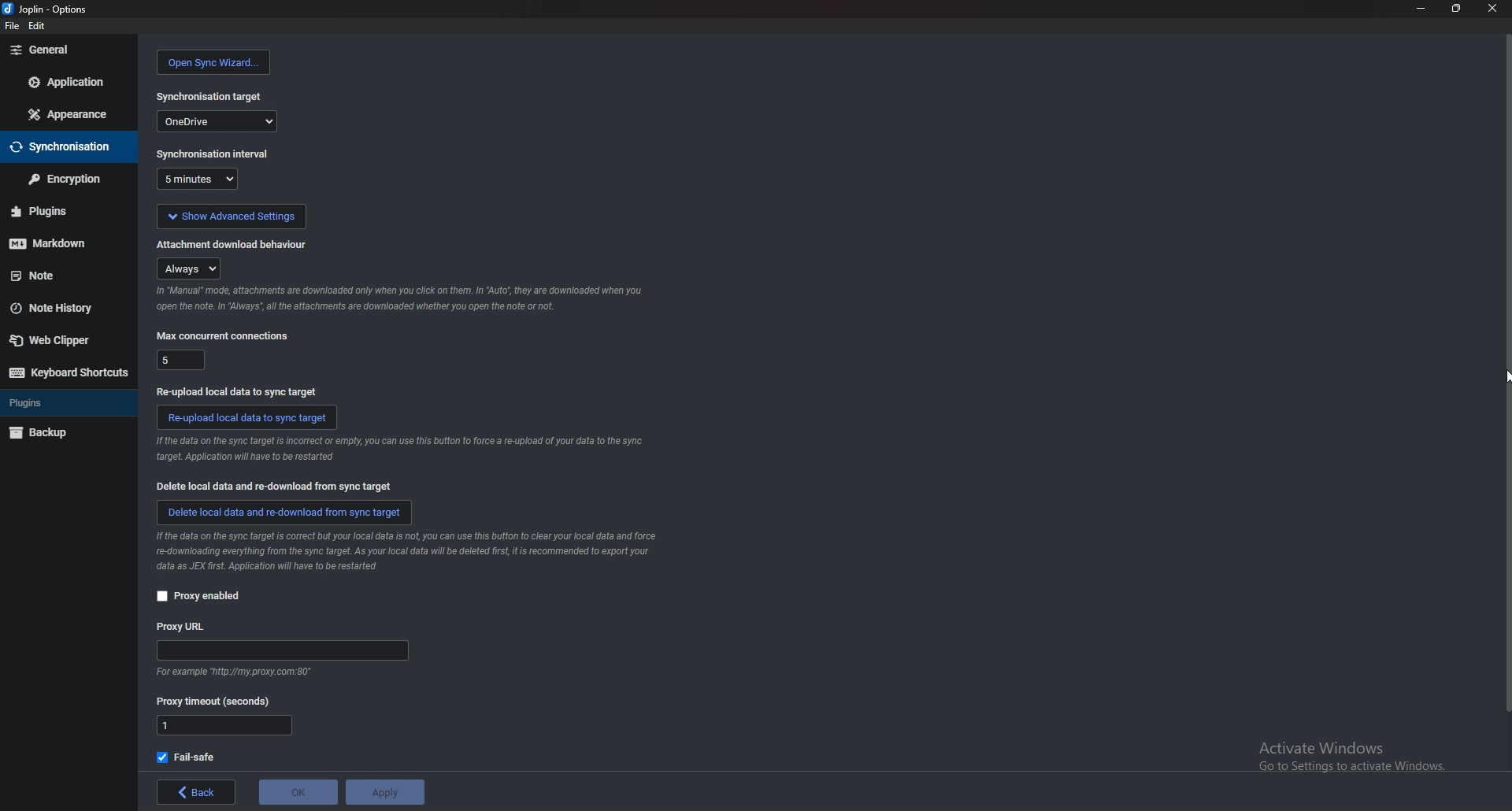 This screenshot has width=1512, height=811. Describe the element at coordinates (48, 9) in the screenshot. I see `options` at that location.